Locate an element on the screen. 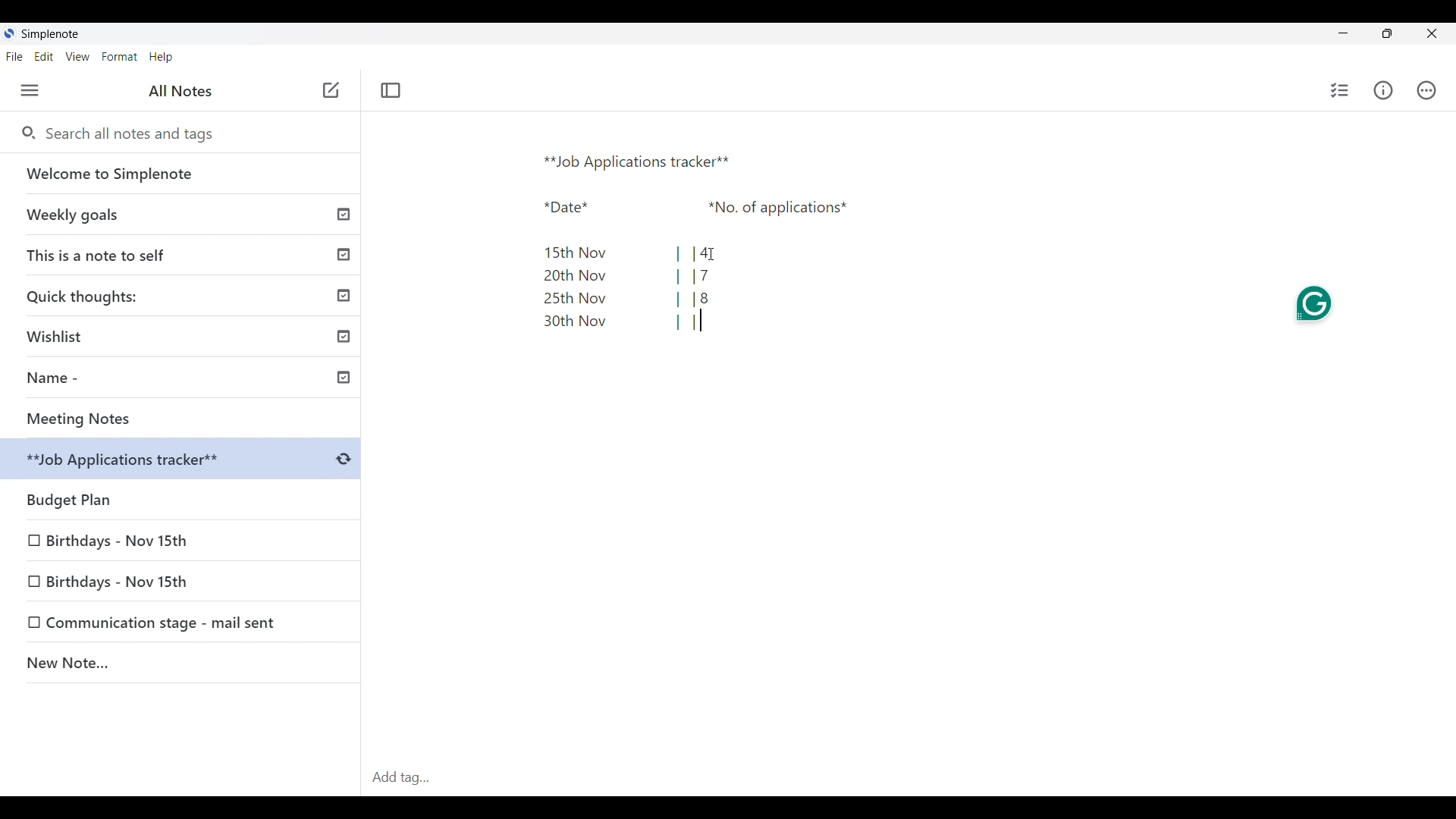 The height and width of the screenshot is (819, 1456). Weekly goals is located at coordinates (180, 214).